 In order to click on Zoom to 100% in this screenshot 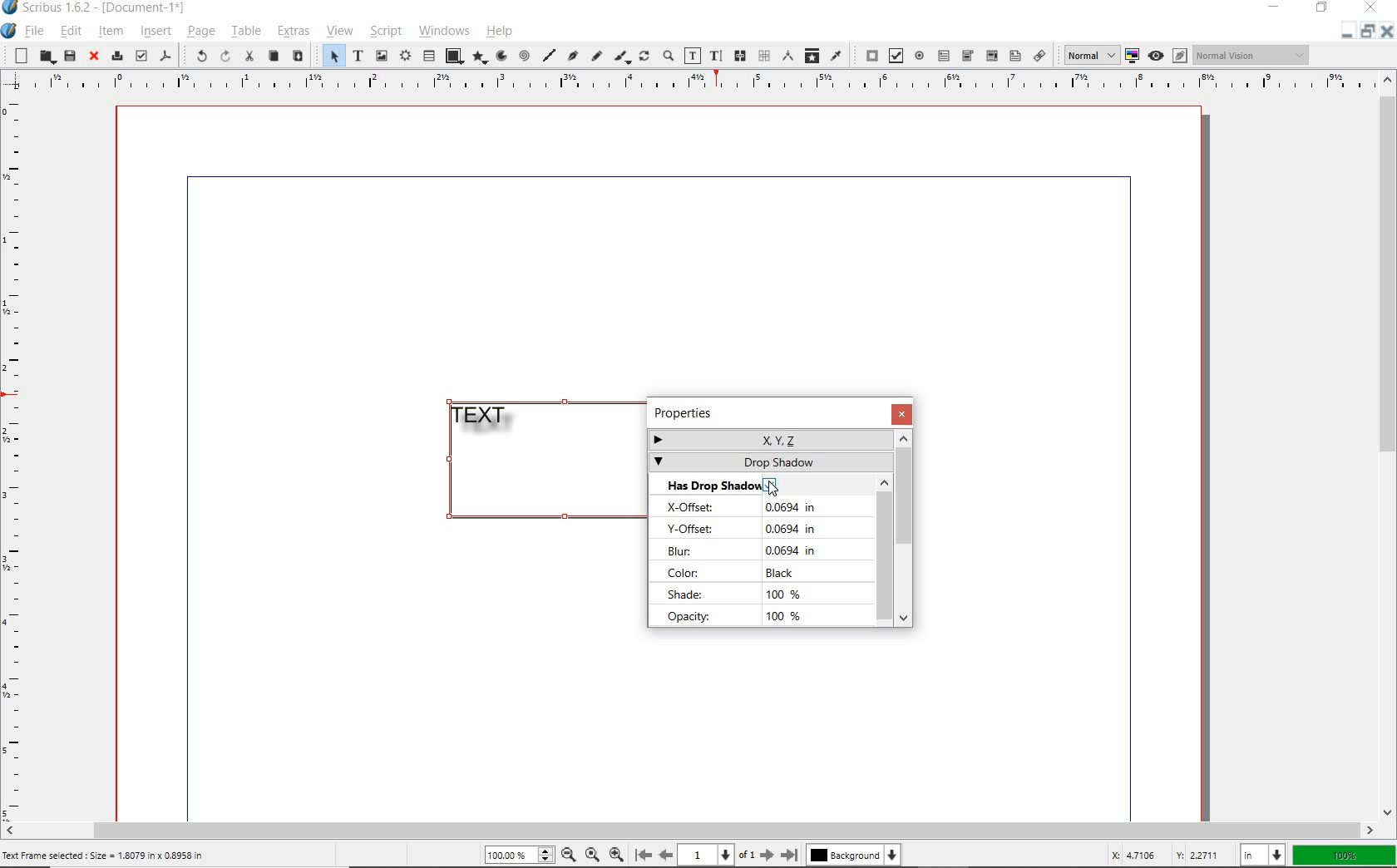, I will do `click(593, 856)`.